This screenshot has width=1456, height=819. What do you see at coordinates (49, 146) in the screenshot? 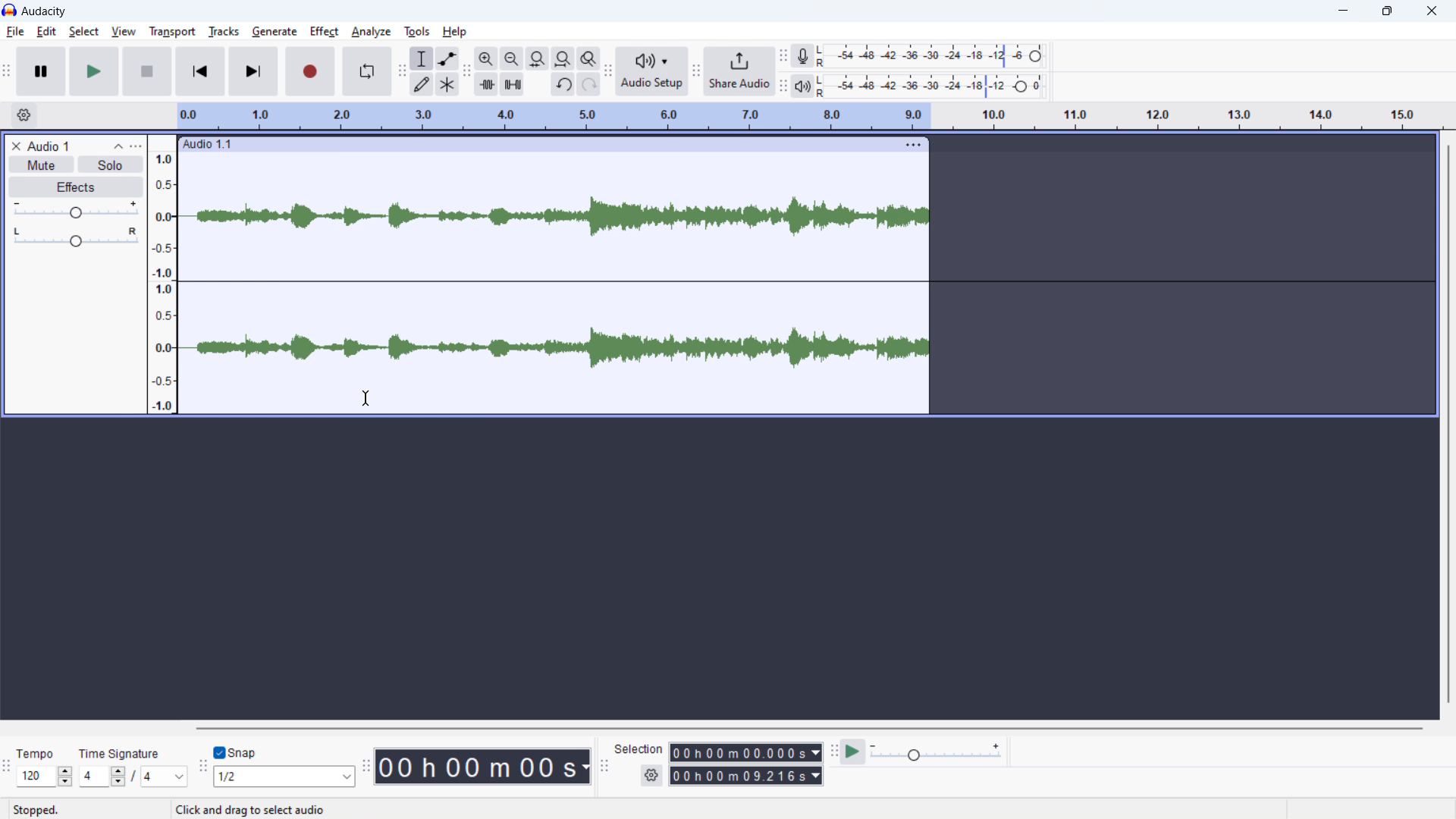
I see `track title` at bounding box center [49, 146].